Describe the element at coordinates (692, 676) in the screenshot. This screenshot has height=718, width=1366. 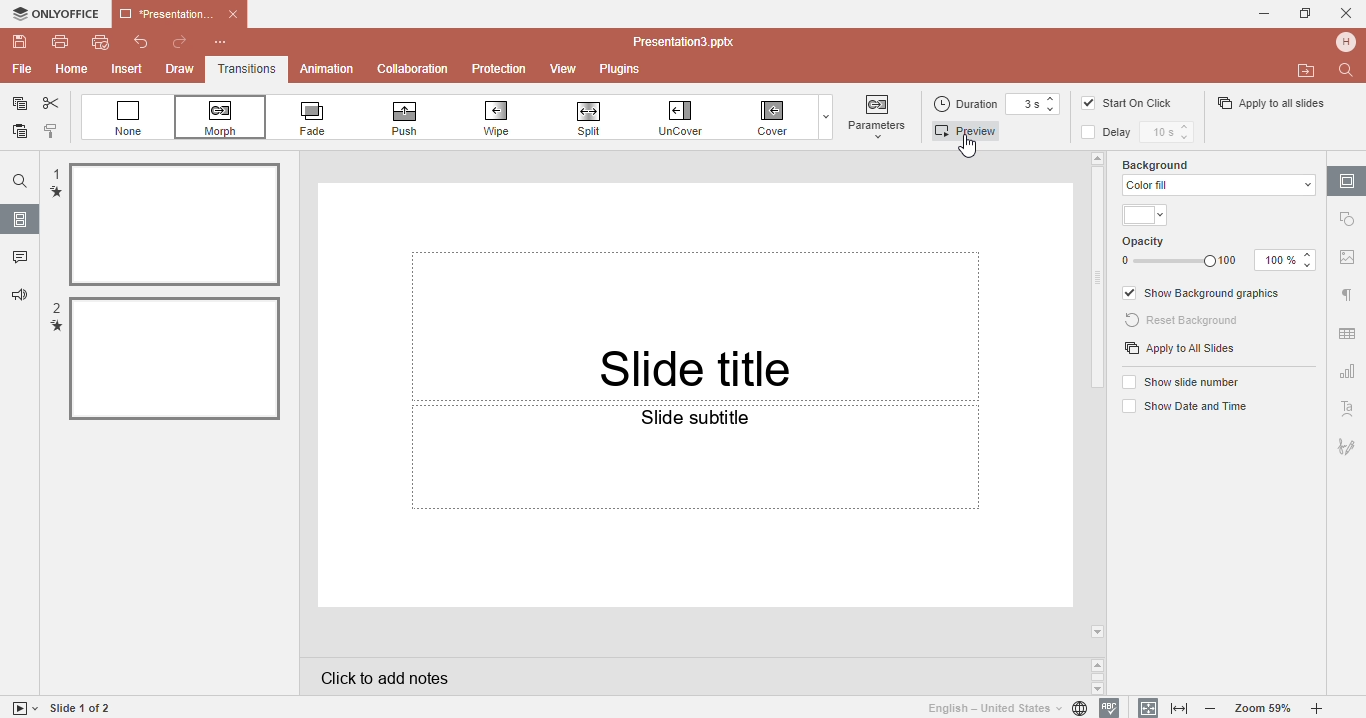
I see `Click to add notes` at that location.